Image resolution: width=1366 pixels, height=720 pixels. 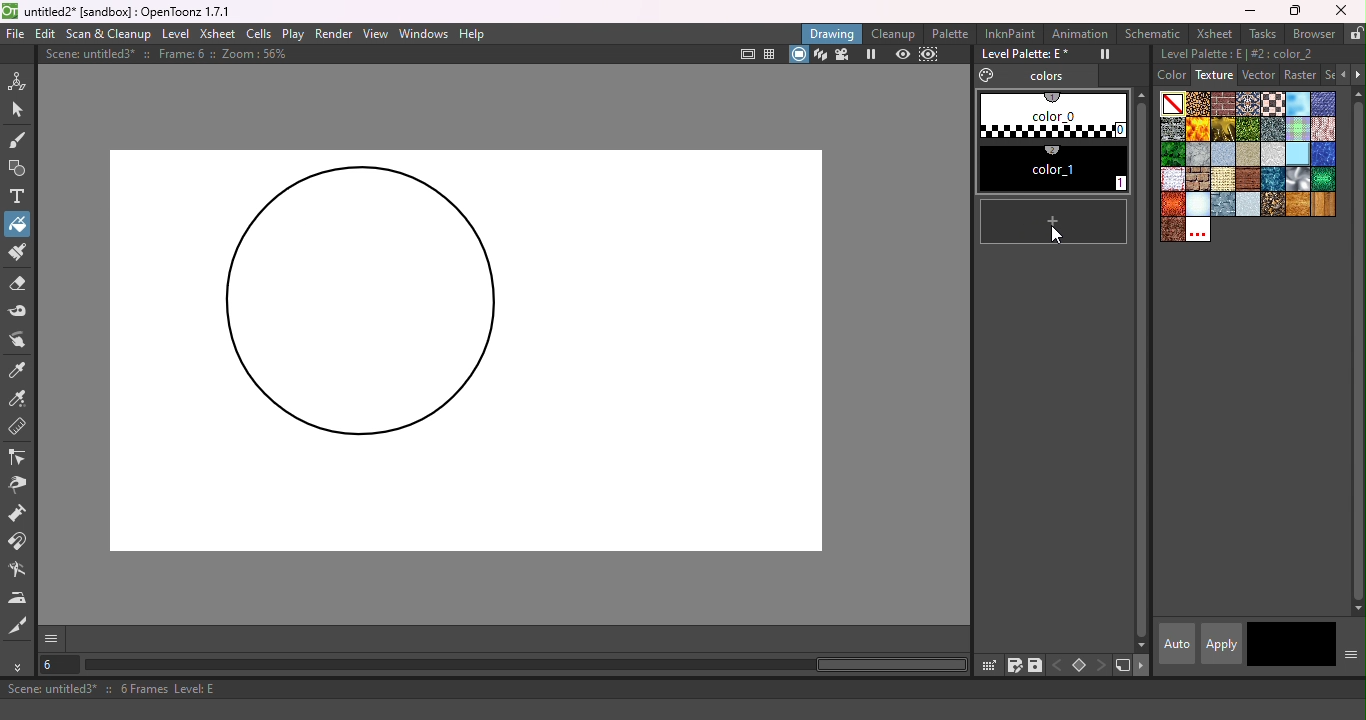 What do you see at coordinates (19, 168) in the screenshot?
I see `Geometric tool` at bounding box center [19, 168].